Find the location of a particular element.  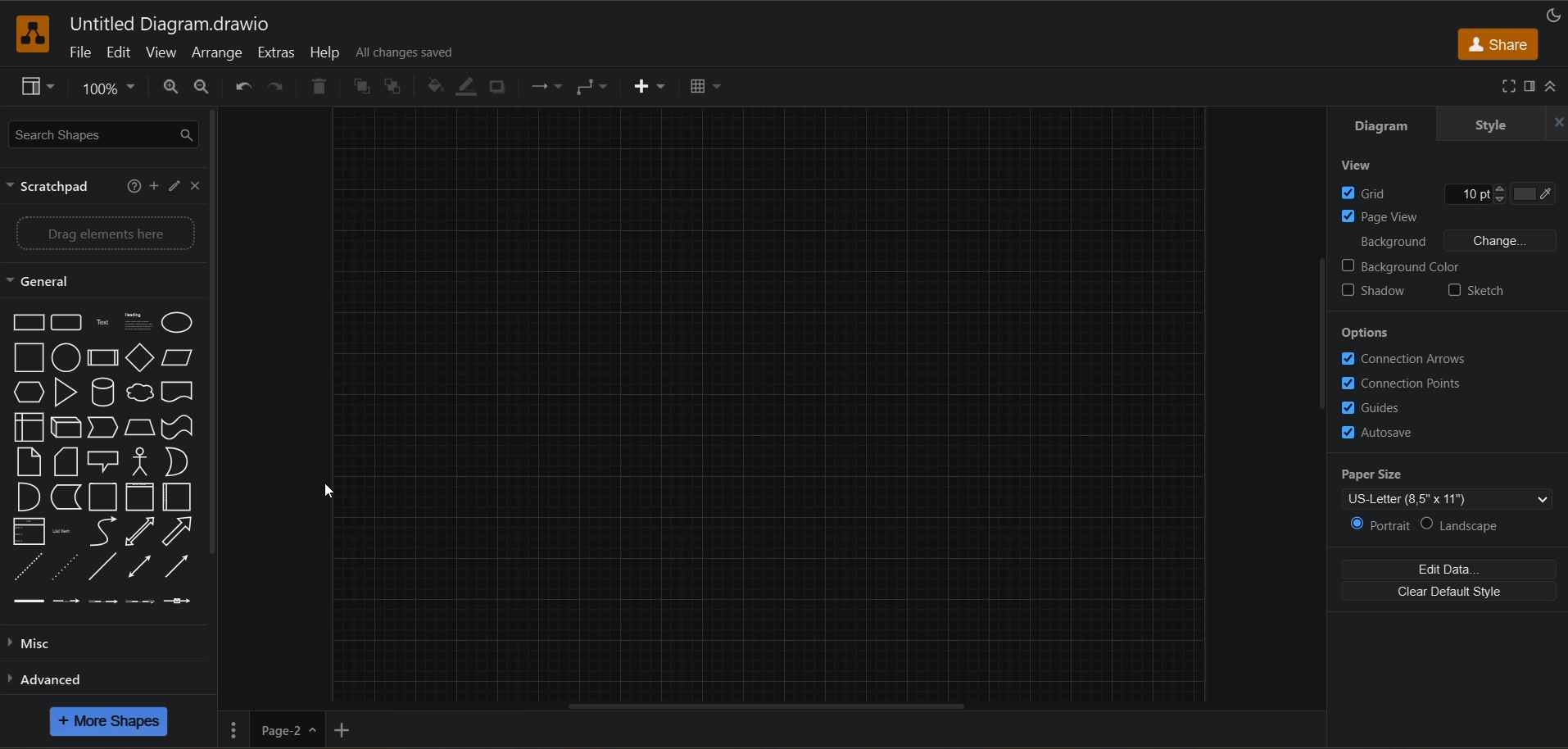

undo is located at coordinates (243, 88).